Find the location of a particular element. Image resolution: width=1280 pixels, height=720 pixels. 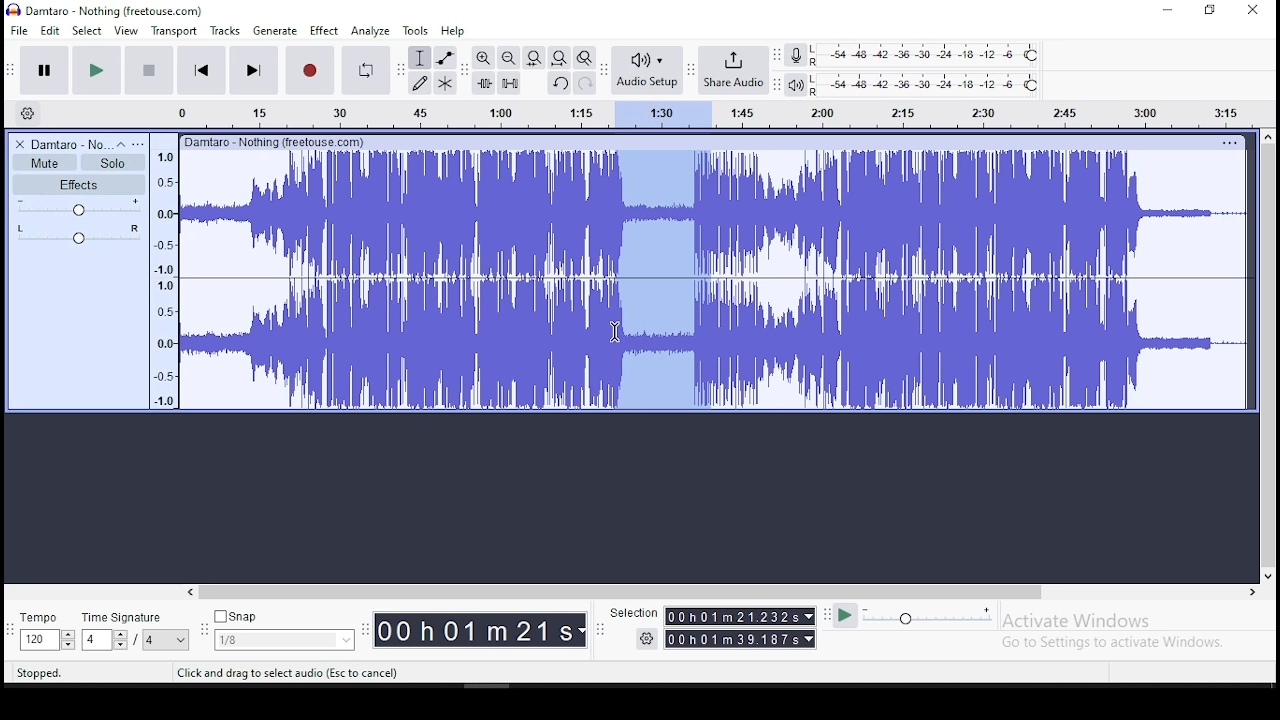

tracks is located at coordinates (227, 31).